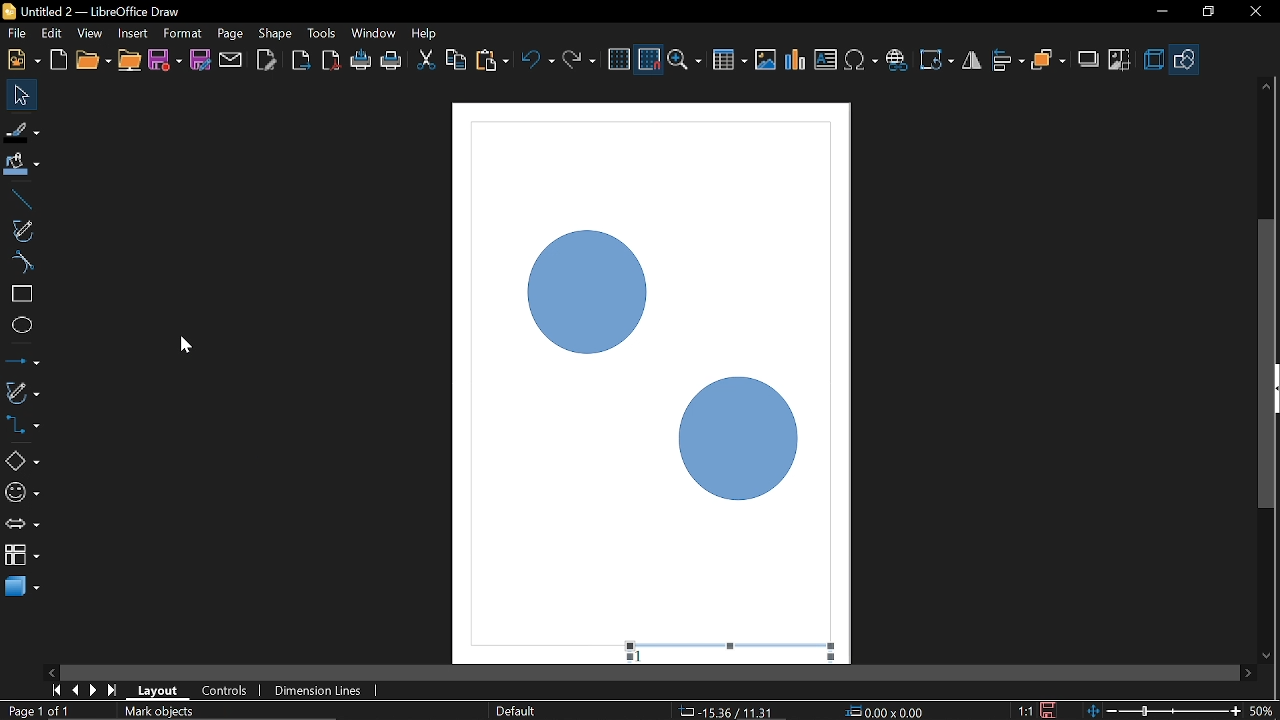  What do you see at coordinates (539, 62) in the screenshot?
I see `Undo` at bounding box center [539, 62].